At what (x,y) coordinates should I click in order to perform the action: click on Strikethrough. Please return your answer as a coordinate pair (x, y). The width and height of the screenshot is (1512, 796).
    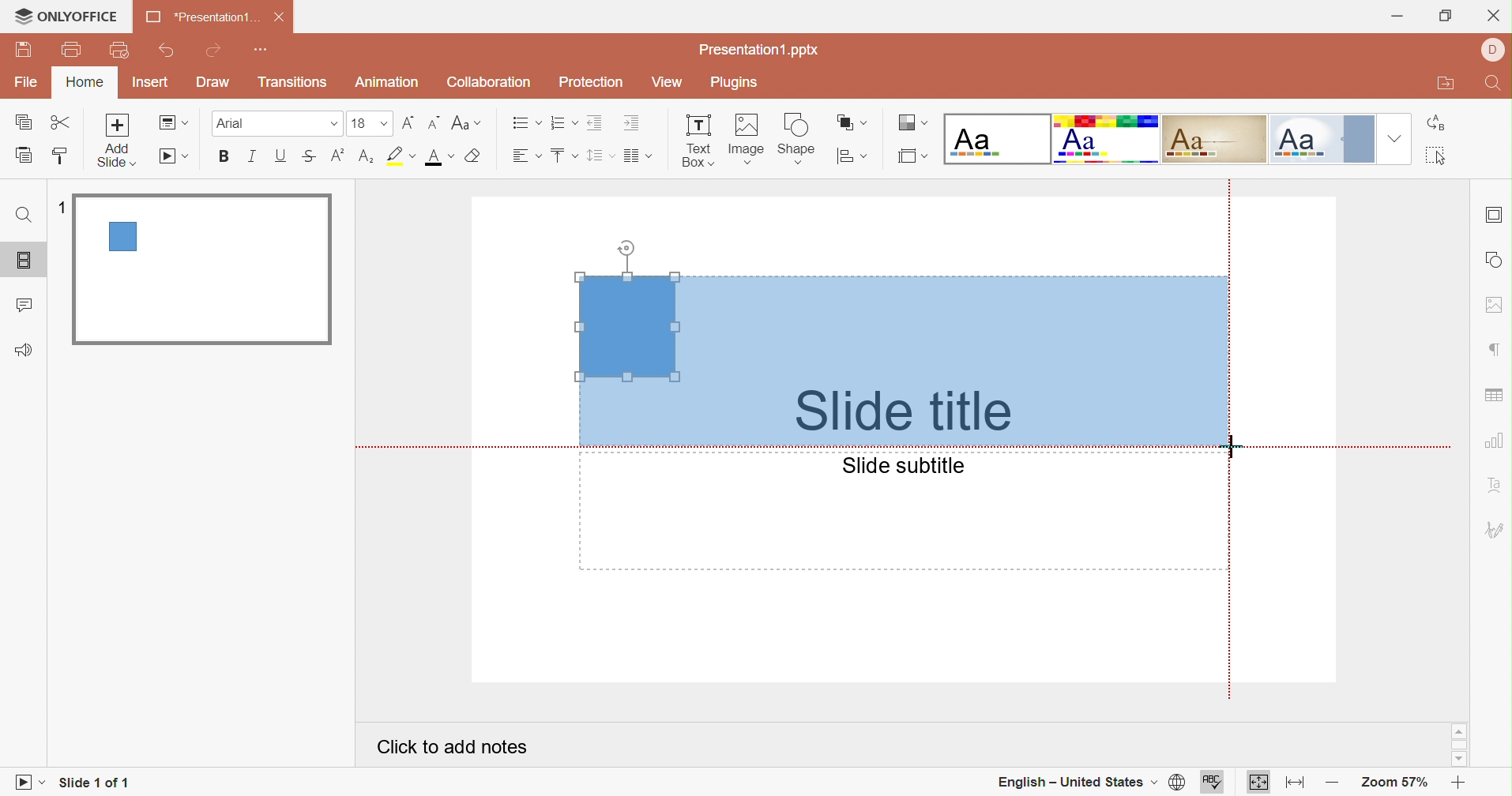
    Looking at the image, I should click on (308, 158).